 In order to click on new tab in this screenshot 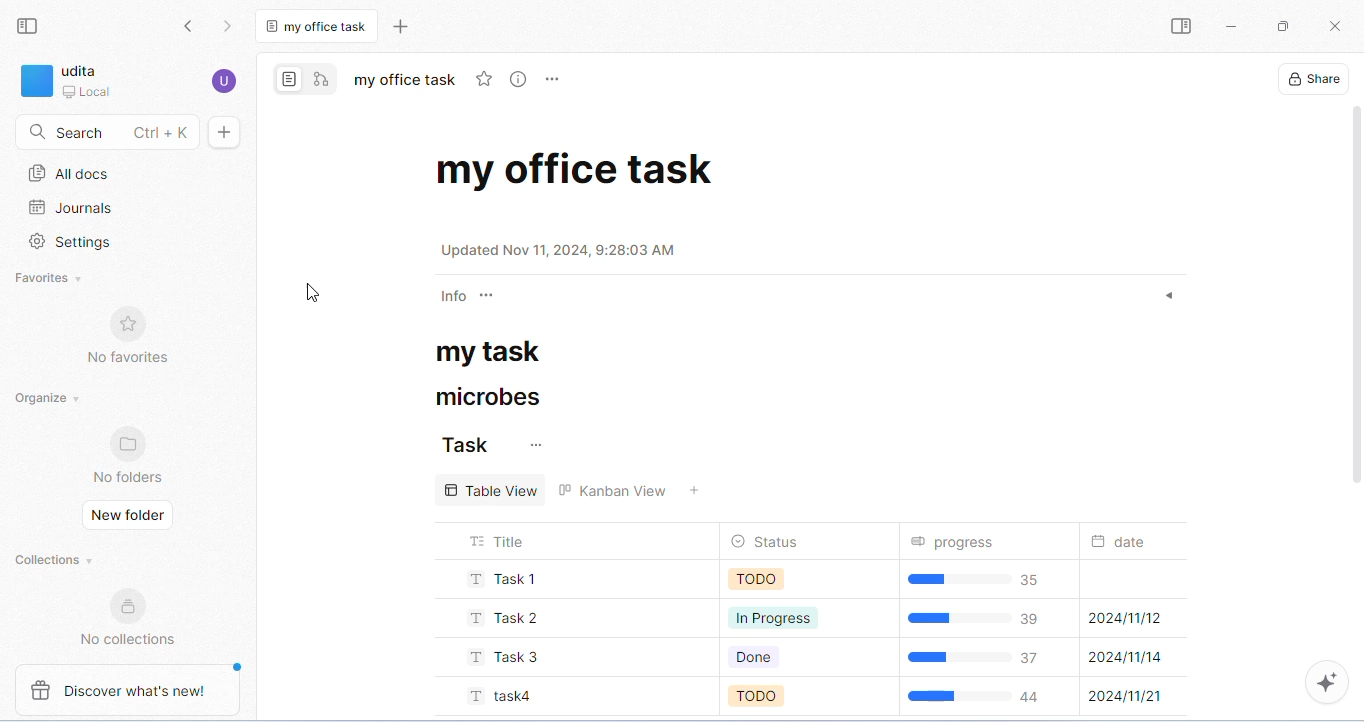, I will do `click(401, 24)`.